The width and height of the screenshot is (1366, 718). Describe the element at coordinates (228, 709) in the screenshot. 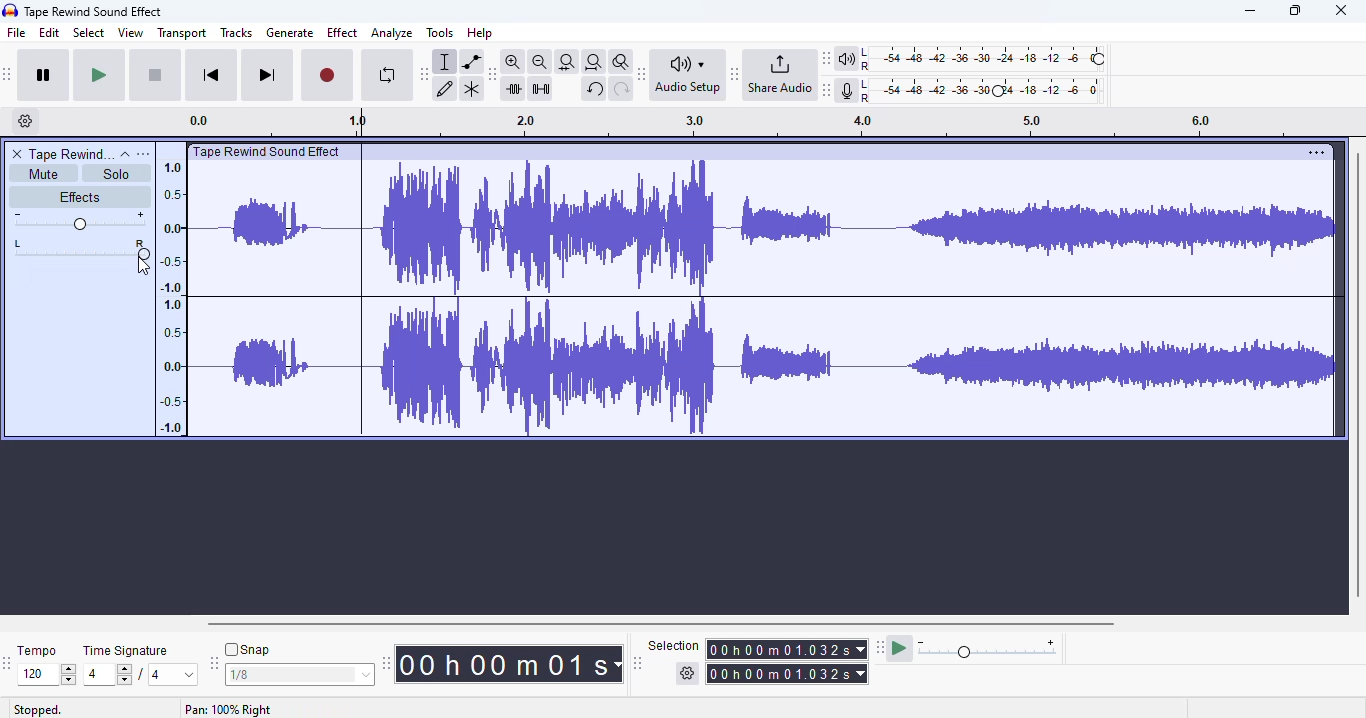

I see `Pan 100% right` at that location.